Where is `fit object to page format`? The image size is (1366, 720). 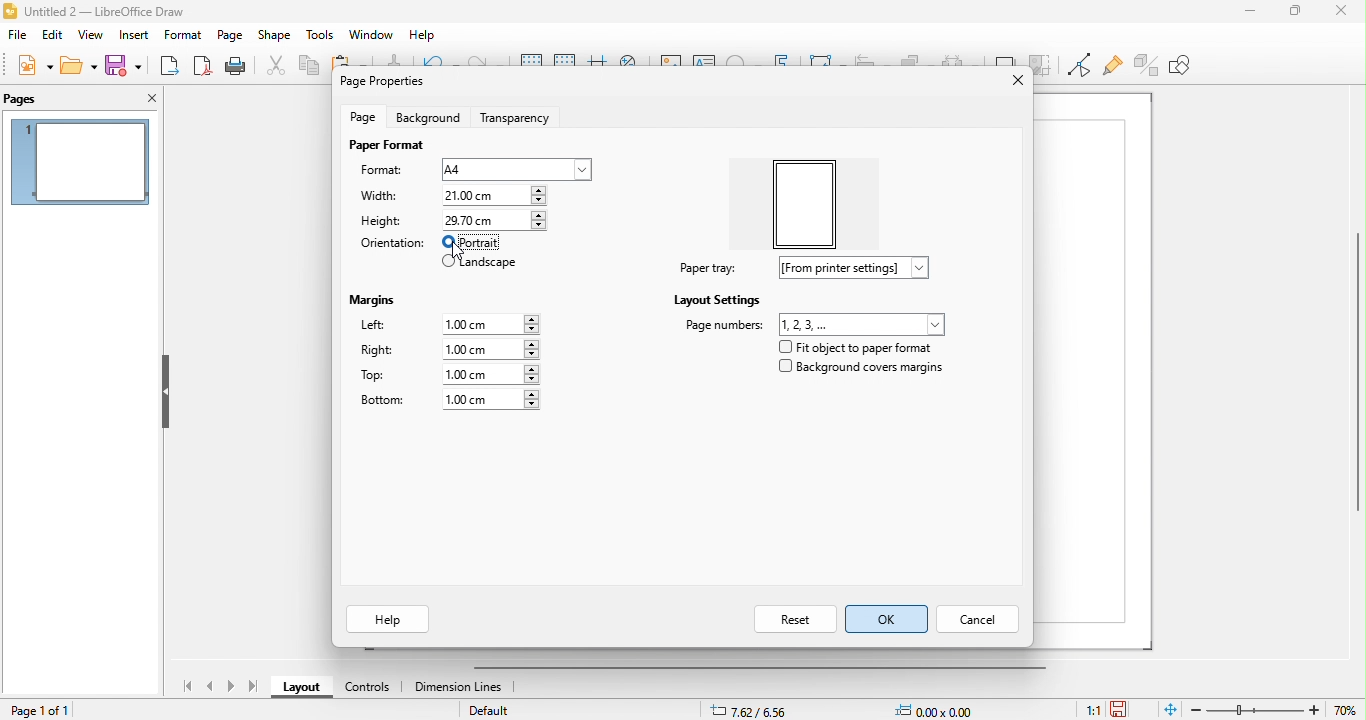
fit object to page format is located at coordinates (859, 348).